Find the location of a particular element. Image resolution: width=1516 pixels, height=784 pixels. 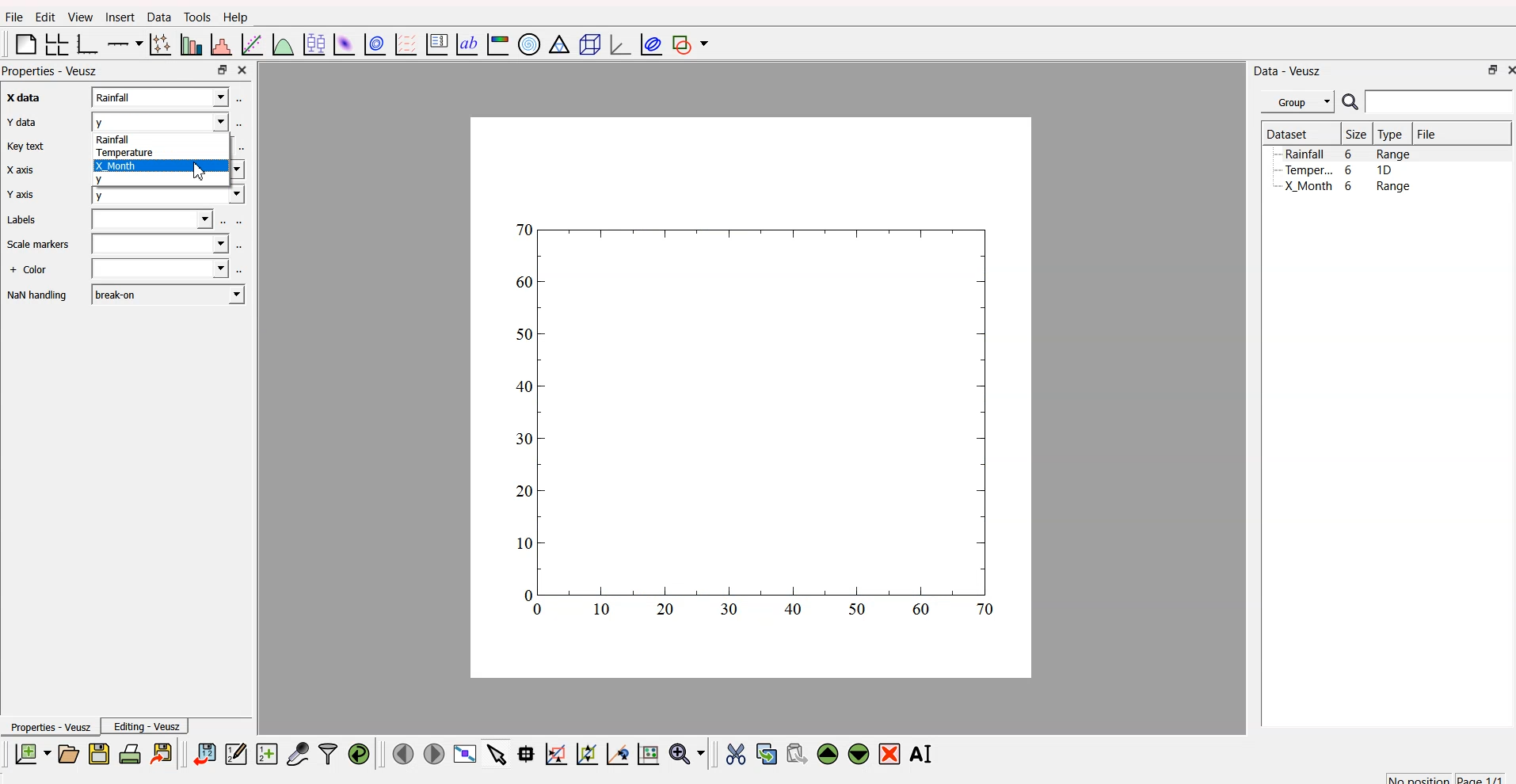

remove the selected widget is located at coordinates (890, 754).